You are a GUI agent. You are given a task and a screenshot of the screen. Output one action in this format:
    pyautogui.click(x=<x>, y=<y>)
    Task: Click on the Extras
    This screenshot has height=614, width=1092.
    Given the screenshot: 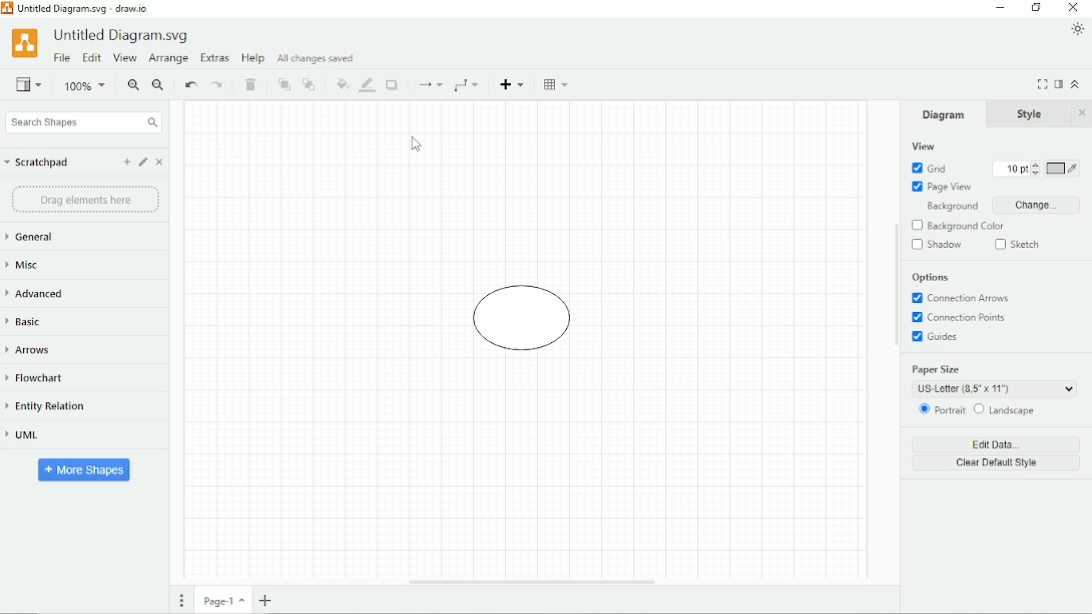 What is the action you would take?
    pyautogui.click(x=215, y=58)
    